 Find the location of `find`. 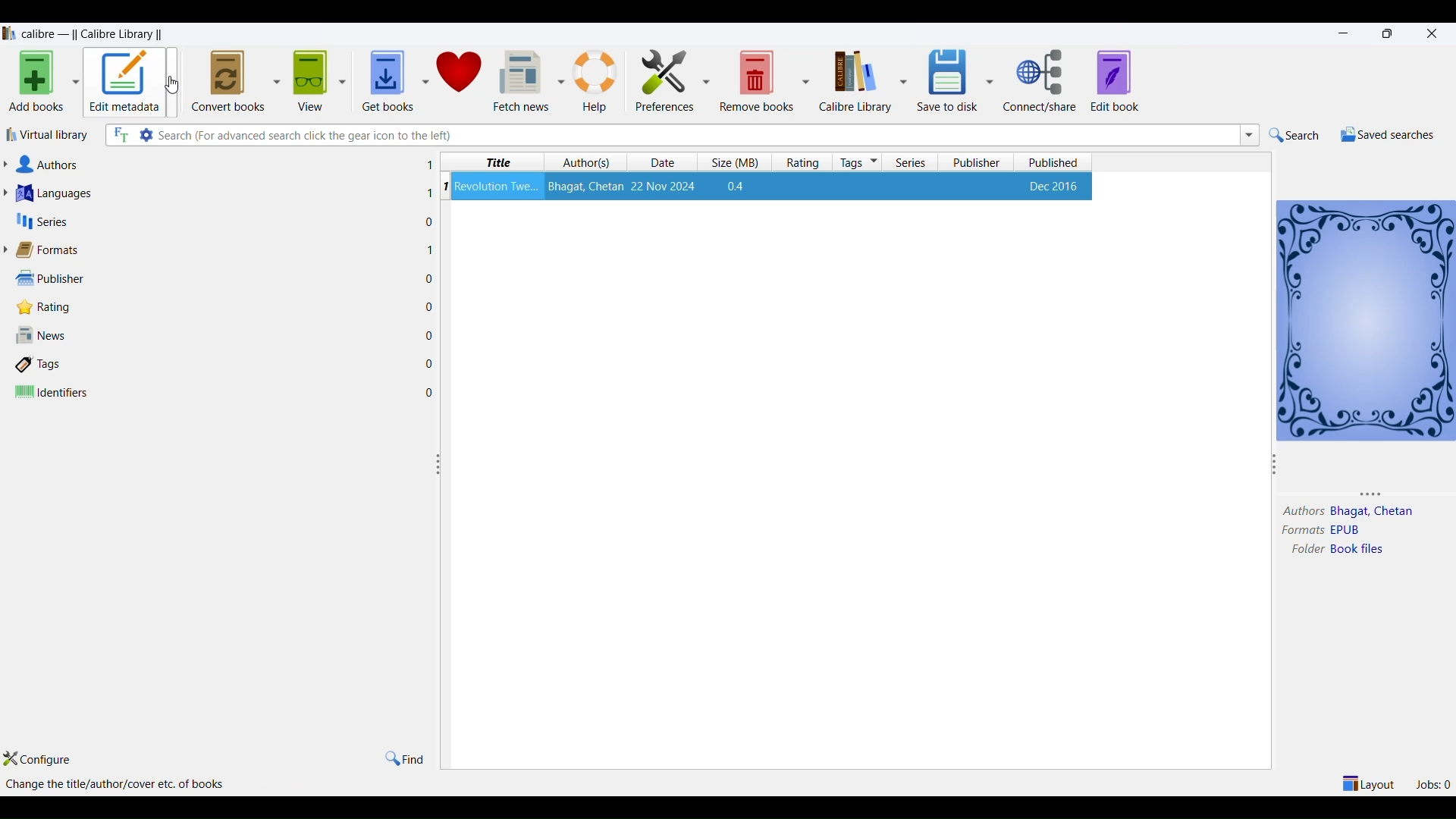

find is located at coordinates (407, 757).